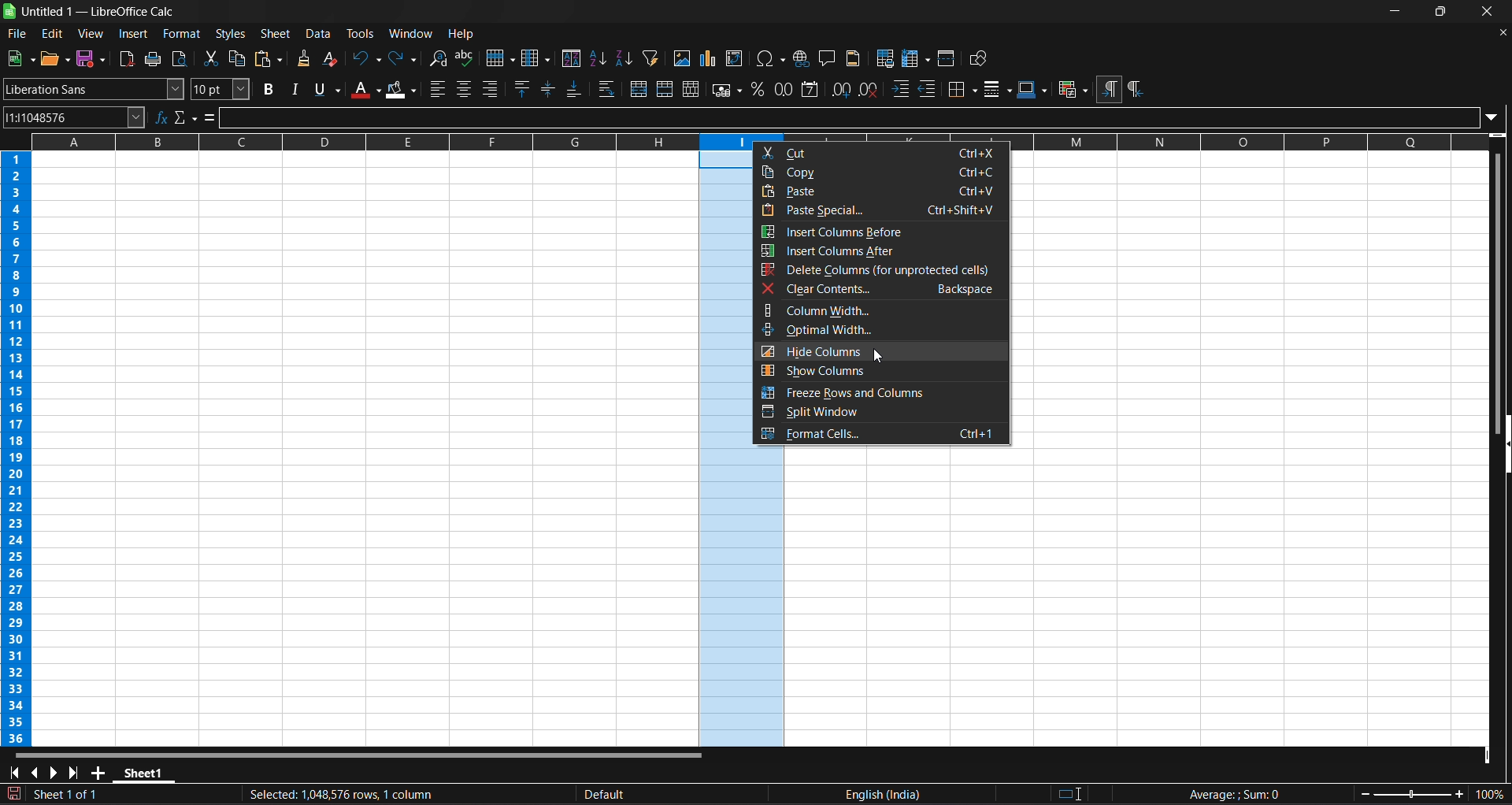 The height and width of the screenshot is (805, 1512). I want to click on print, so click(154, 59).